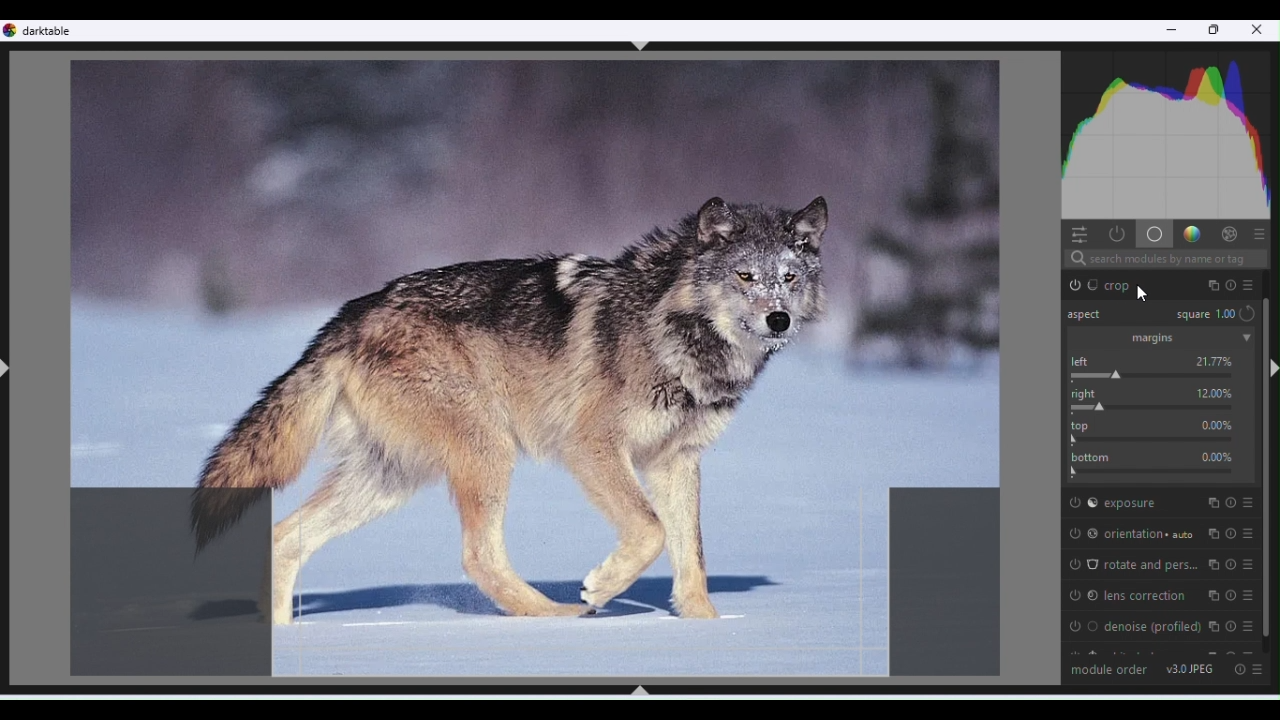  Describe the element at coordinates (1203, 315) in the screenshot. I see `` at that location.